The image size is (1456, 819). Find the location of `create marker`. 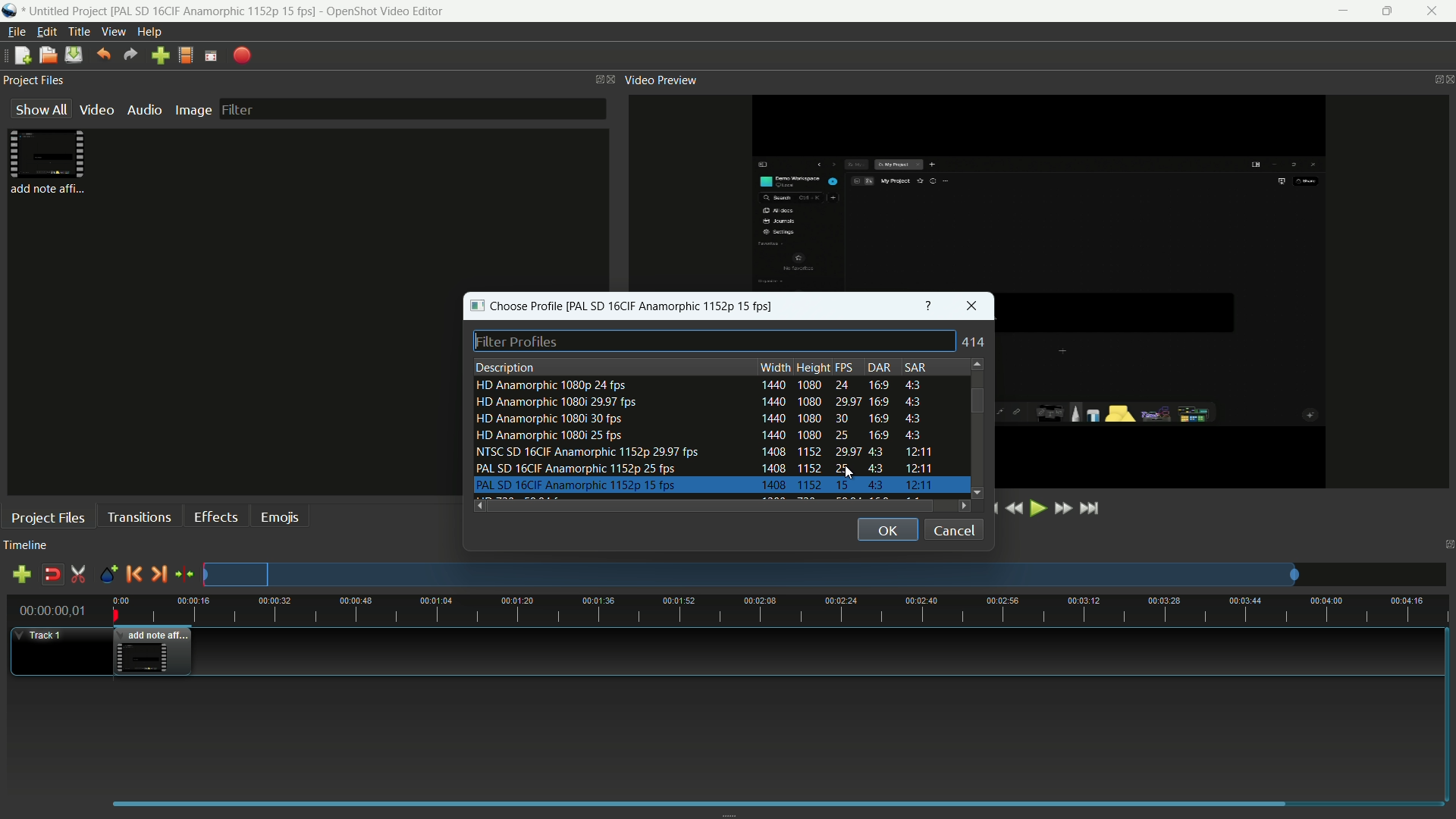

create marker is located at coordinates (108, 575).